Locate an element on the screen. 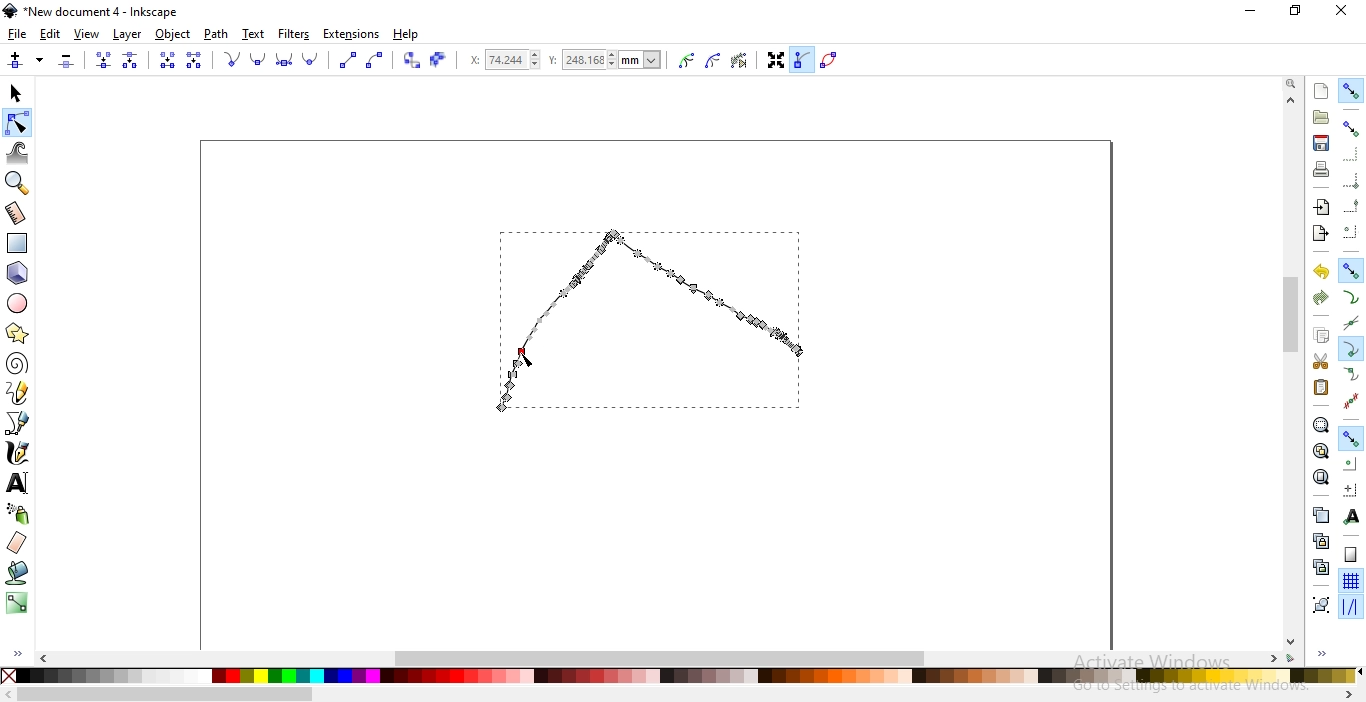  edit is located at coordinates (50, 36).